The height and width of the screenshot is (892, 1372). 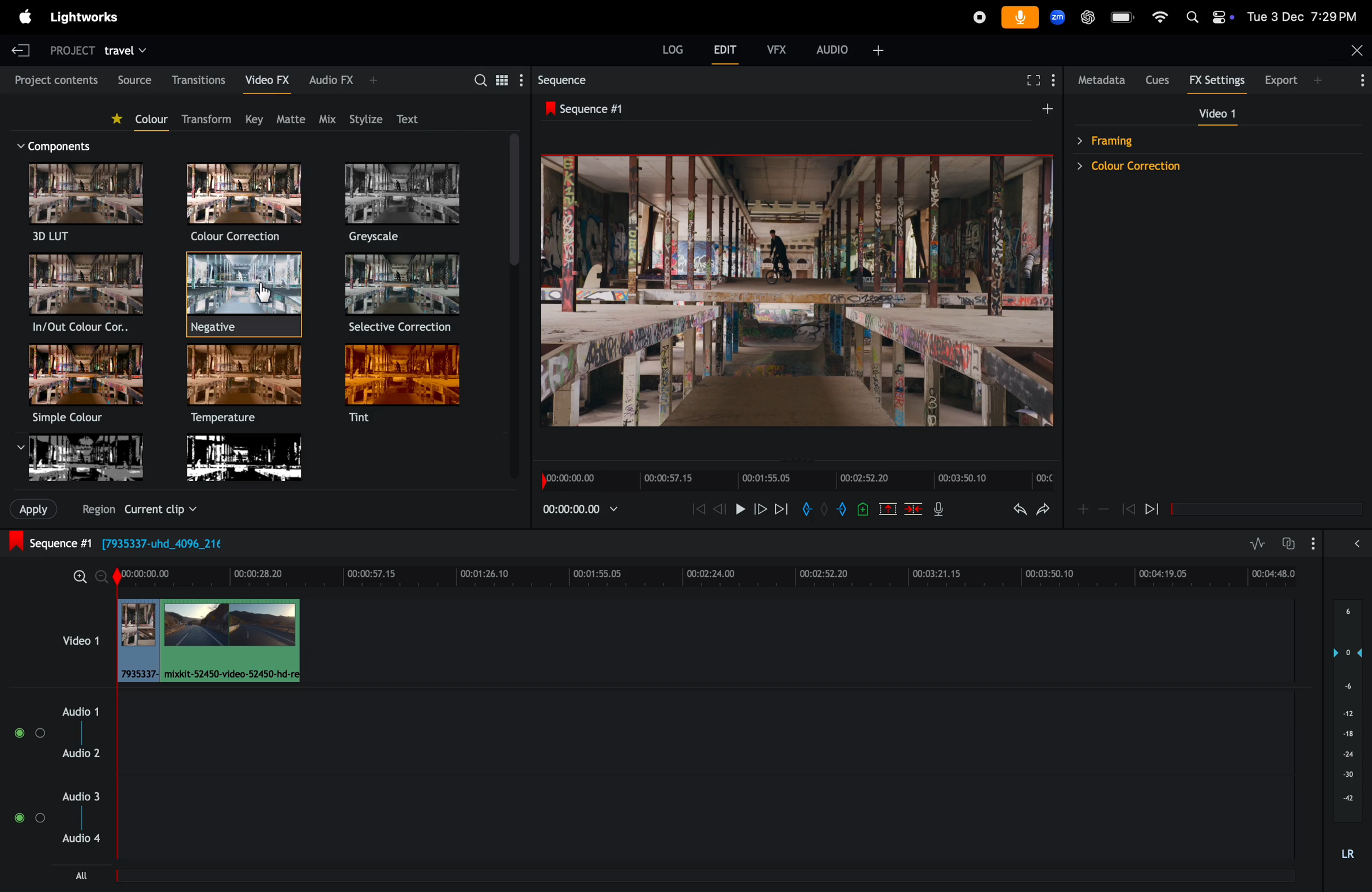 I want to click on toggle audio levels, so click(x=1258, y=541).